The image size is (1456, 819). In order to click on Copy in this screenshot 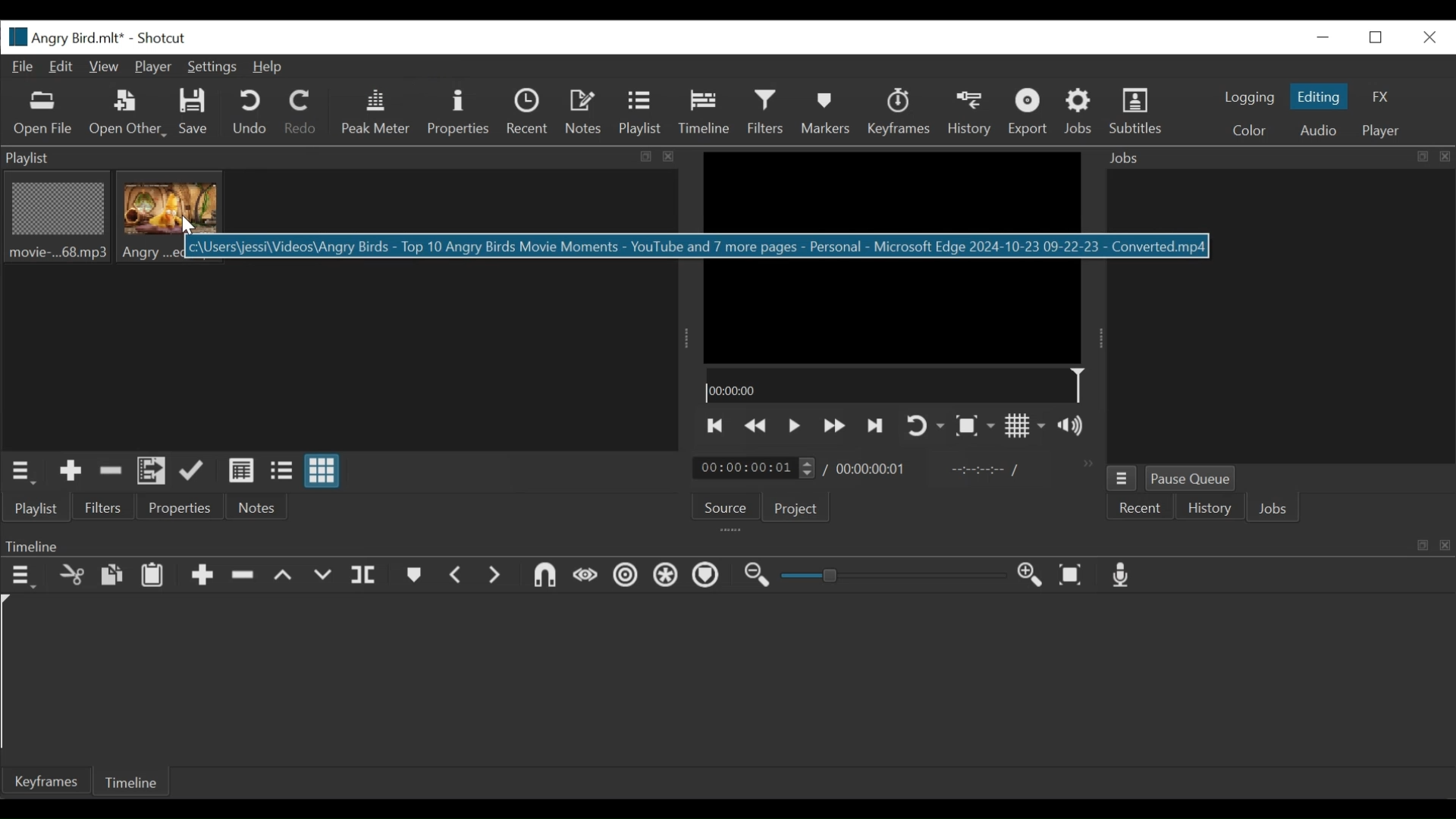, I will do `click(113, 577)`.